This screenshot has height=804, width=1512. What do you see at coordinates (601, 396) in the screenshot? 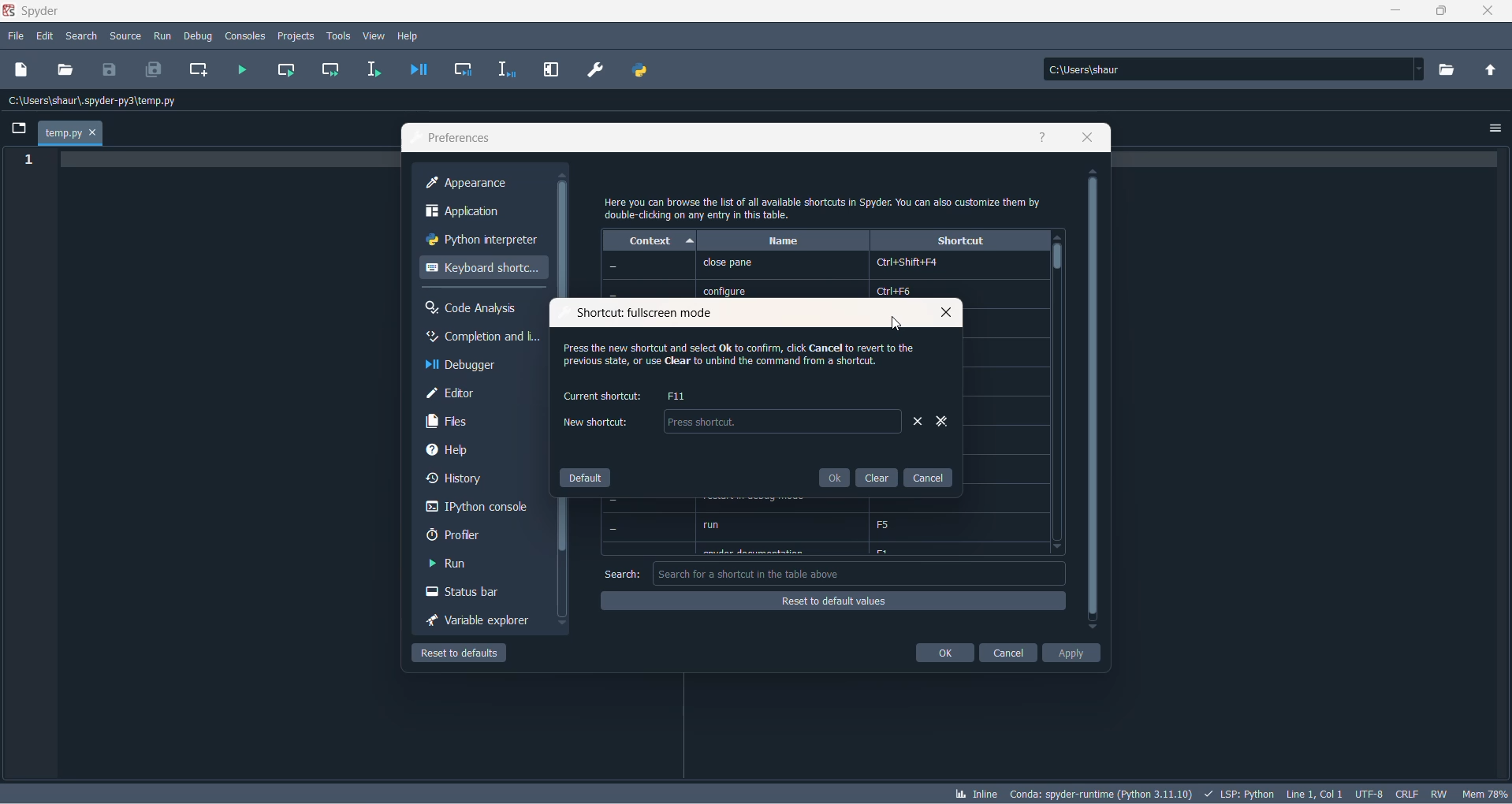
I see `current shortcut` at bounding box center [601, 396].